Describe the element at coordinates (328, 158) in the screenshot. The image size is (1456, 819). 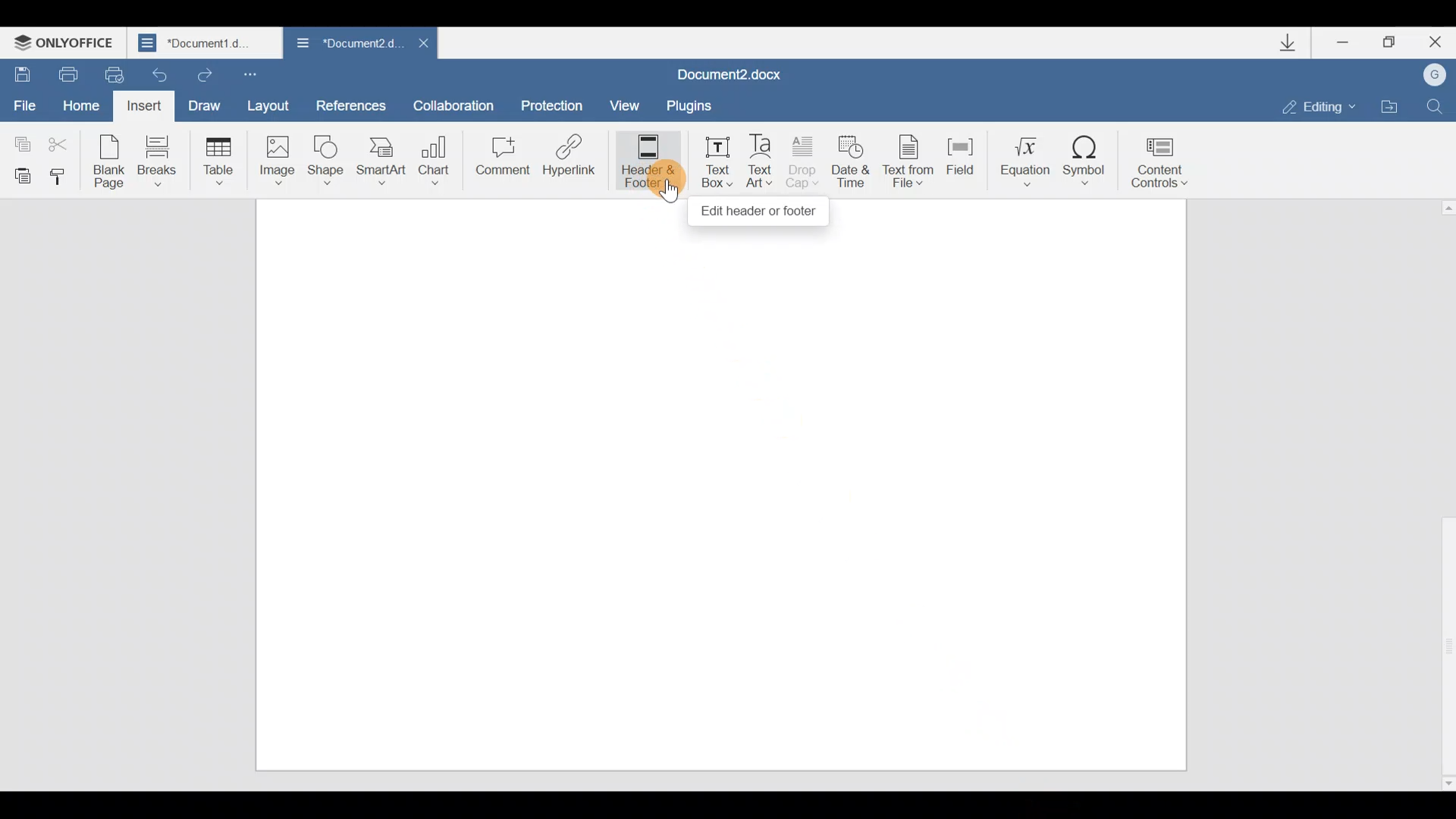
I see `Shape` at that location.